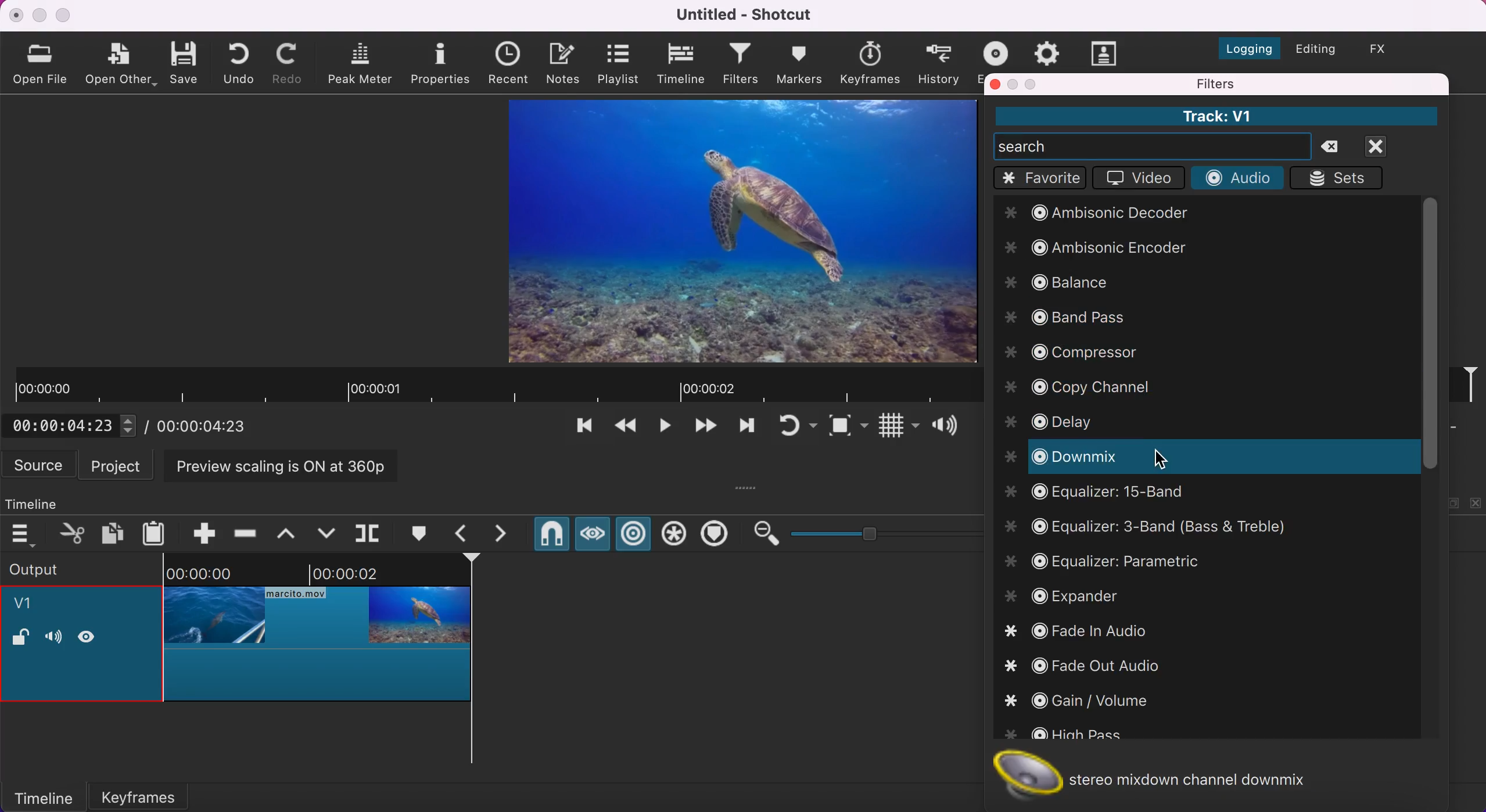 The image size is (1486, 812). I want to click on current position, so click(75, 425).